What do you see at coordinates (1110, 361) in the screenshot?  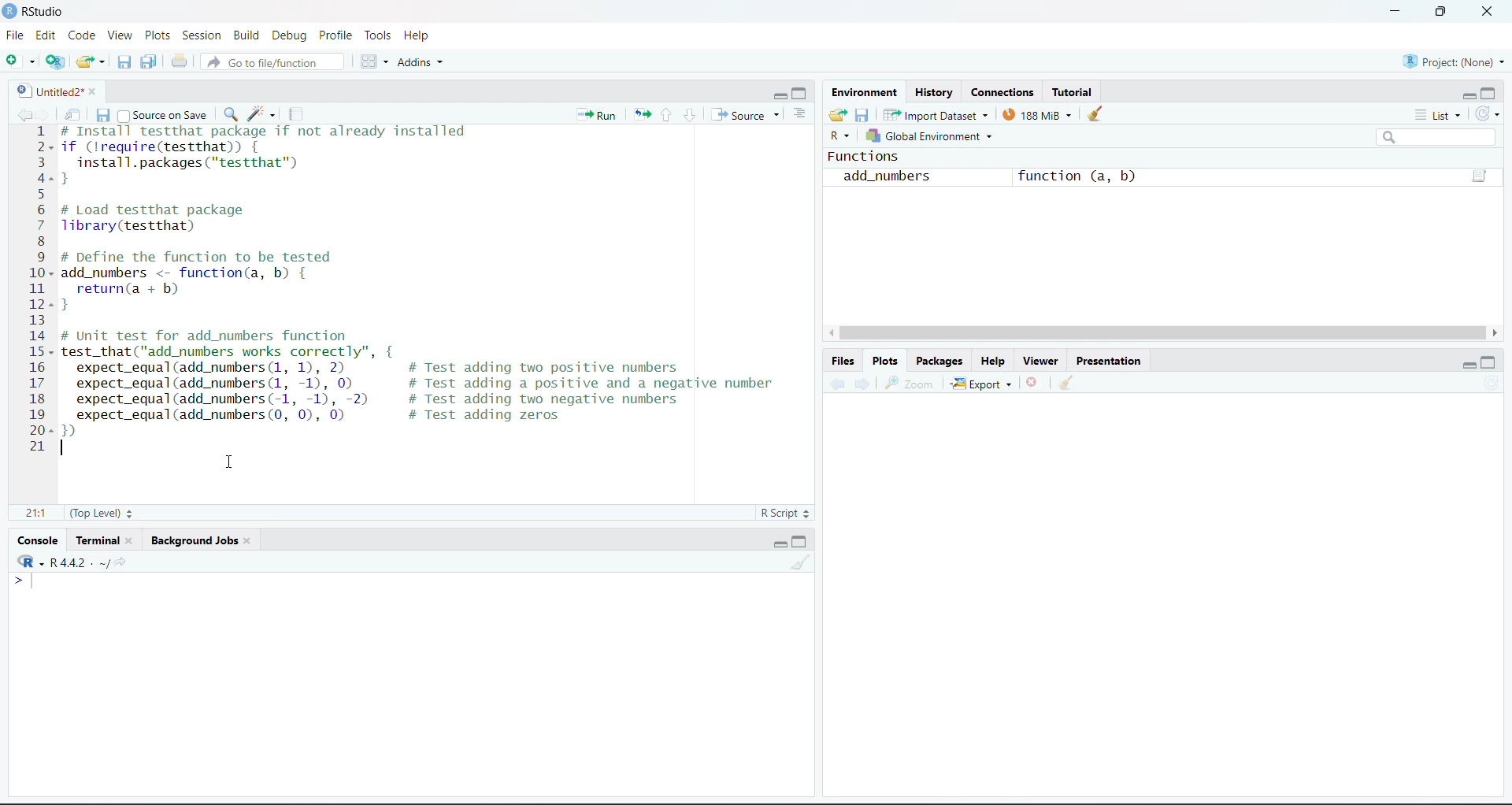 I see `Presentation` at bounding box center [1110, 361].